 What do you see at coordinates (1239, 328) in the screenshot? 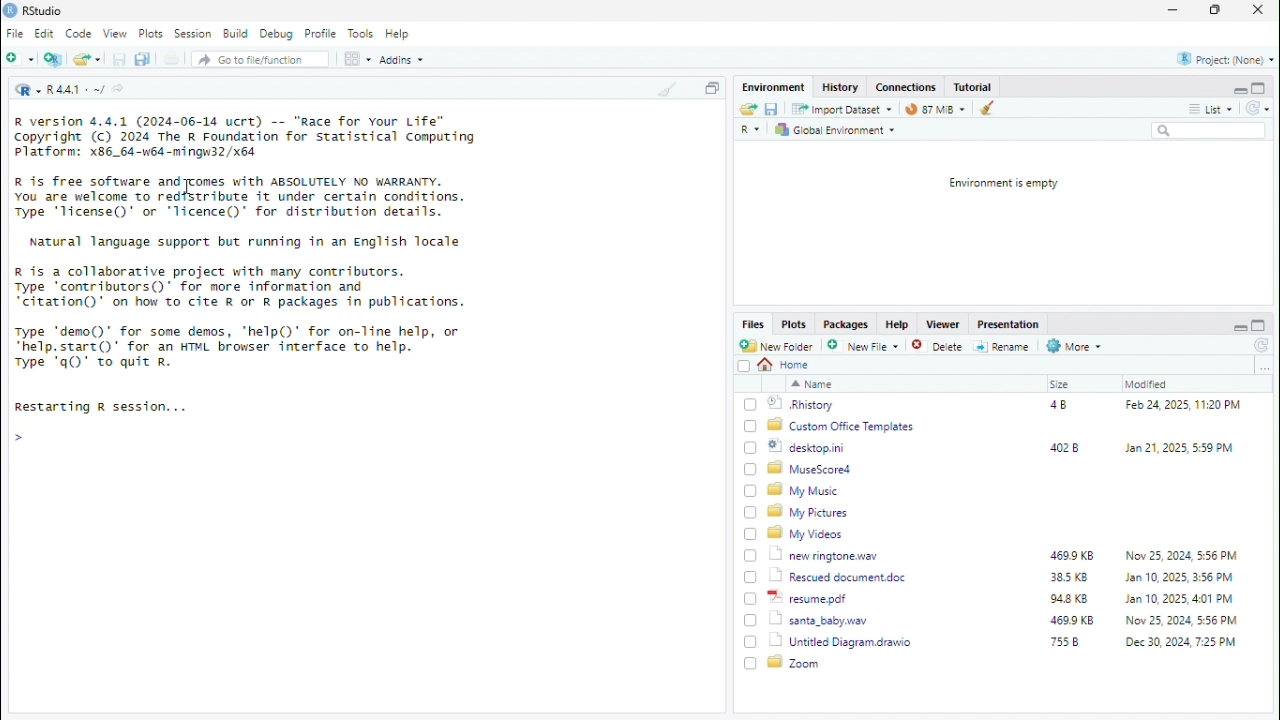
I see `minimise` at bounding box center [1239, 328].